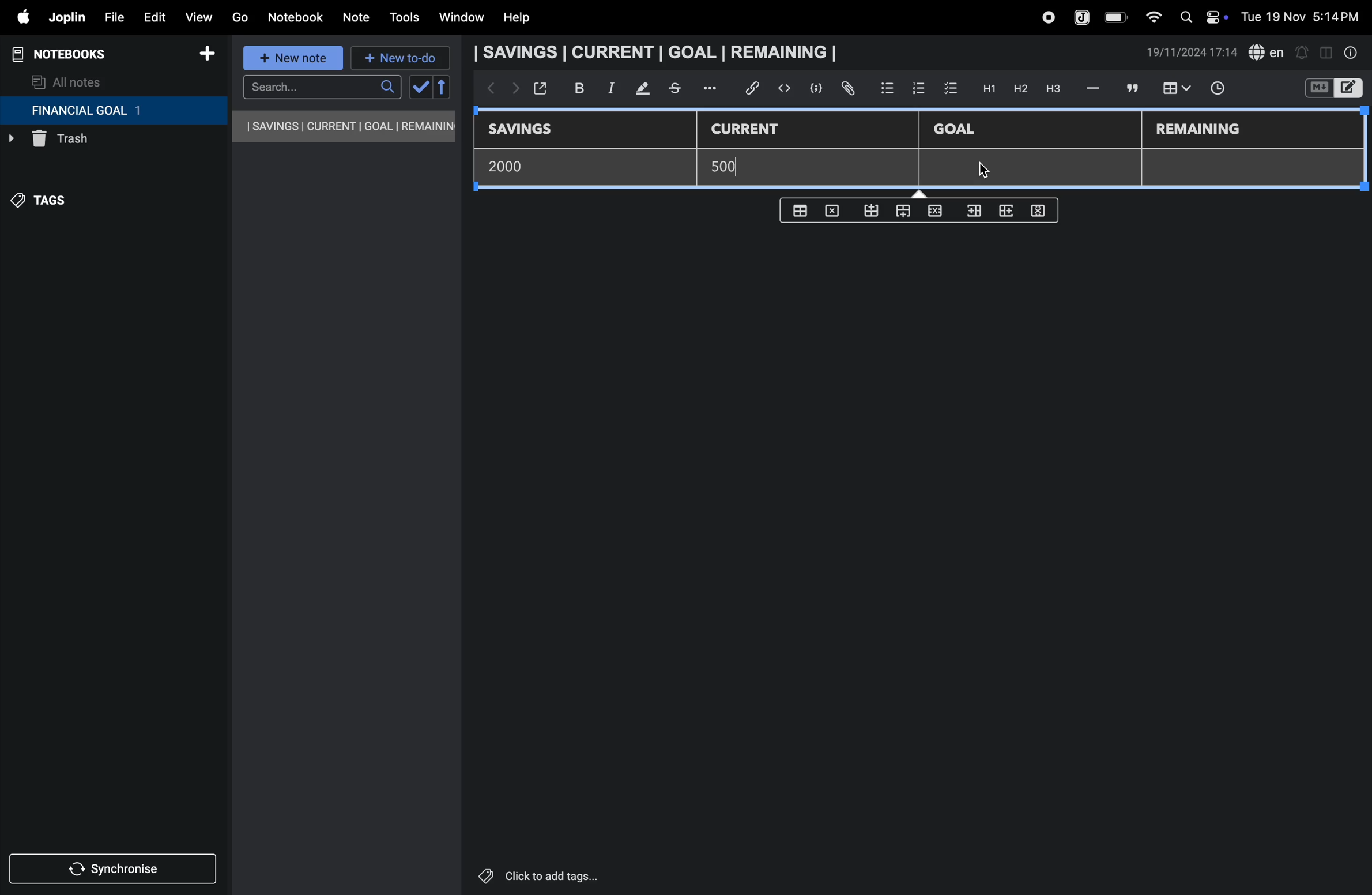  I want to click on H1, so click(987, 89).